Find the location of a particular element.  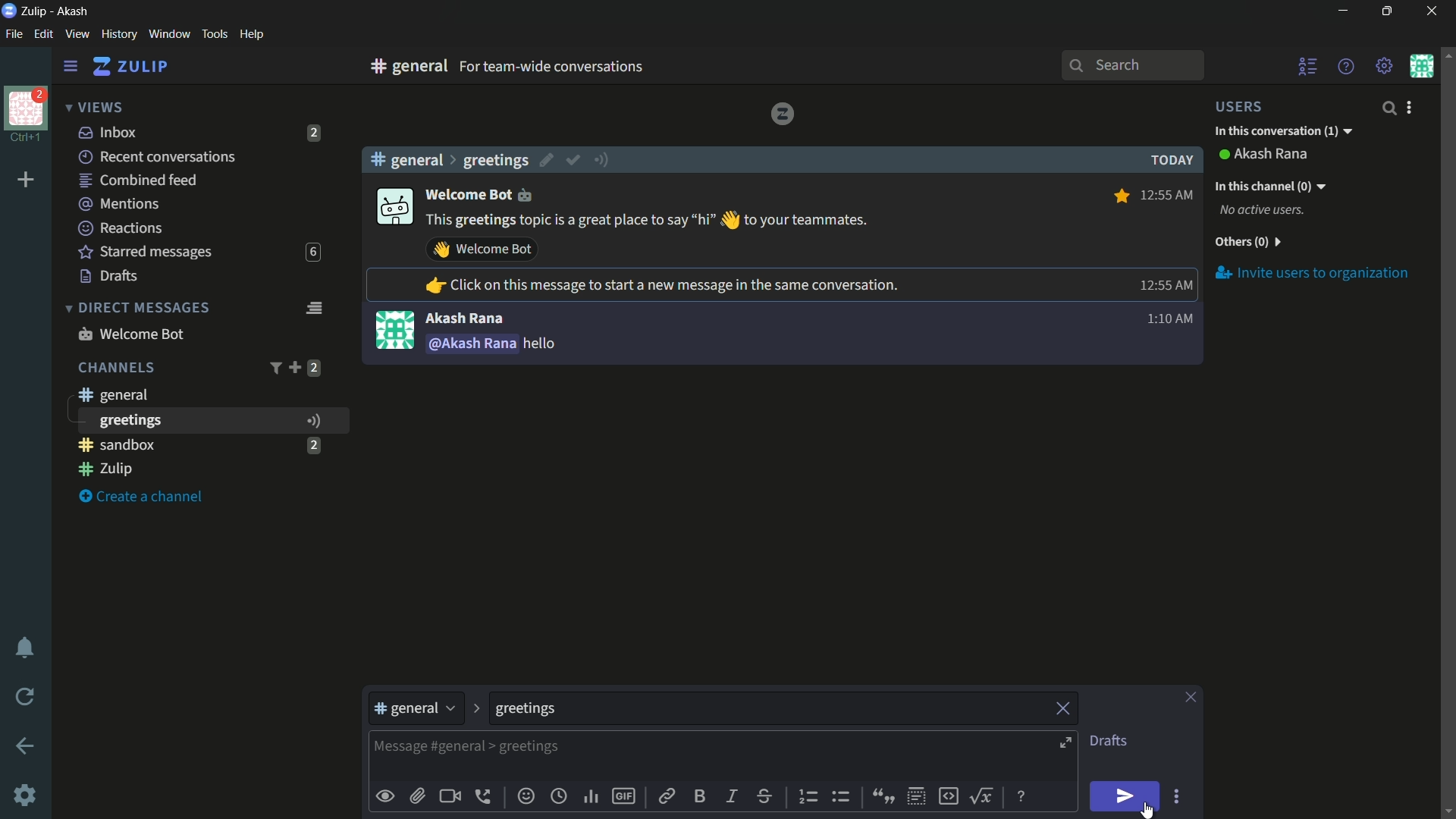

2 unread messages is located at coordinates (313, 444).